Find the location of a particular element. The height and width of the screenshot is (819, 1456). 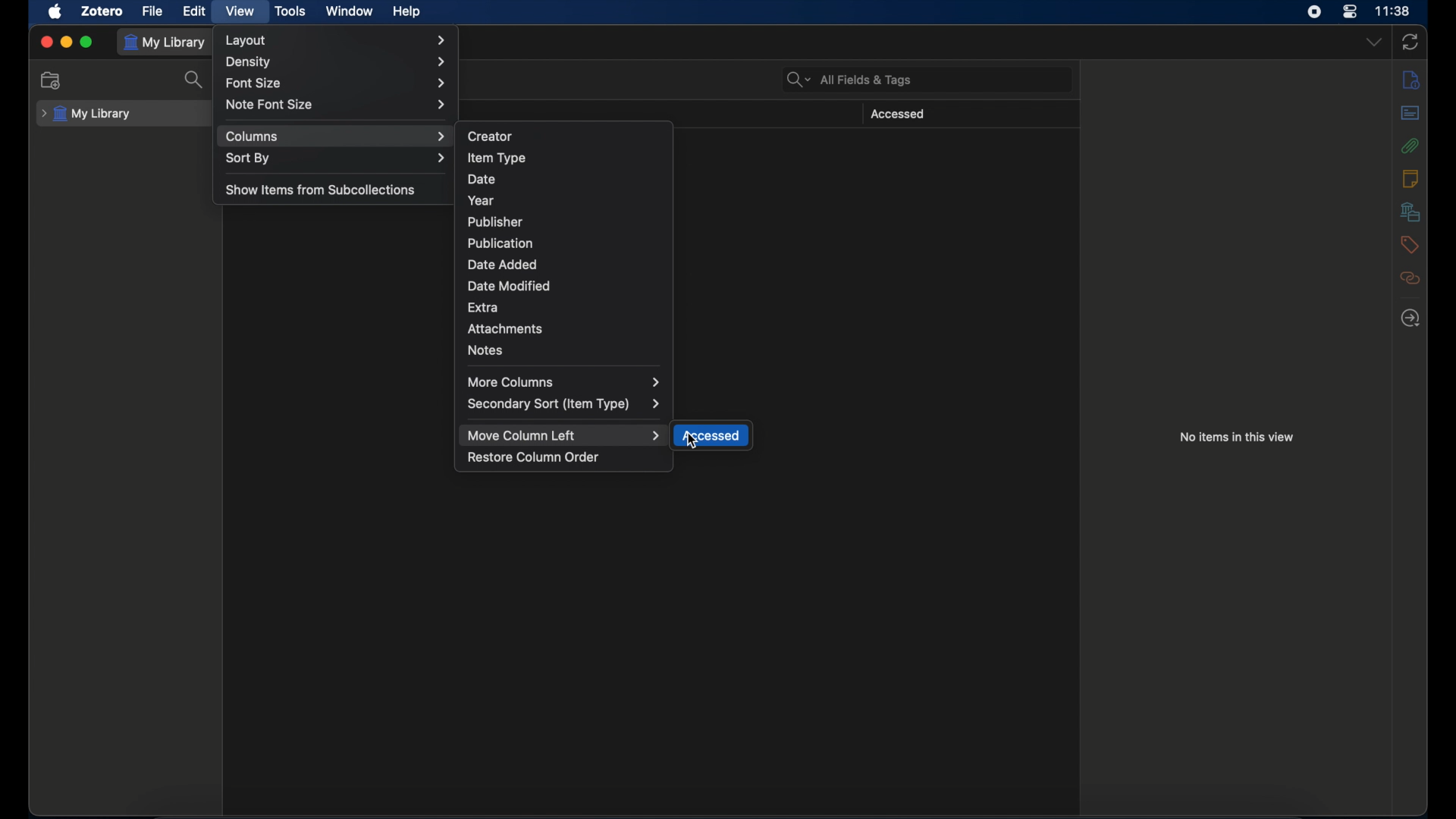

screen recorder is located at coordinates (1314, 12).